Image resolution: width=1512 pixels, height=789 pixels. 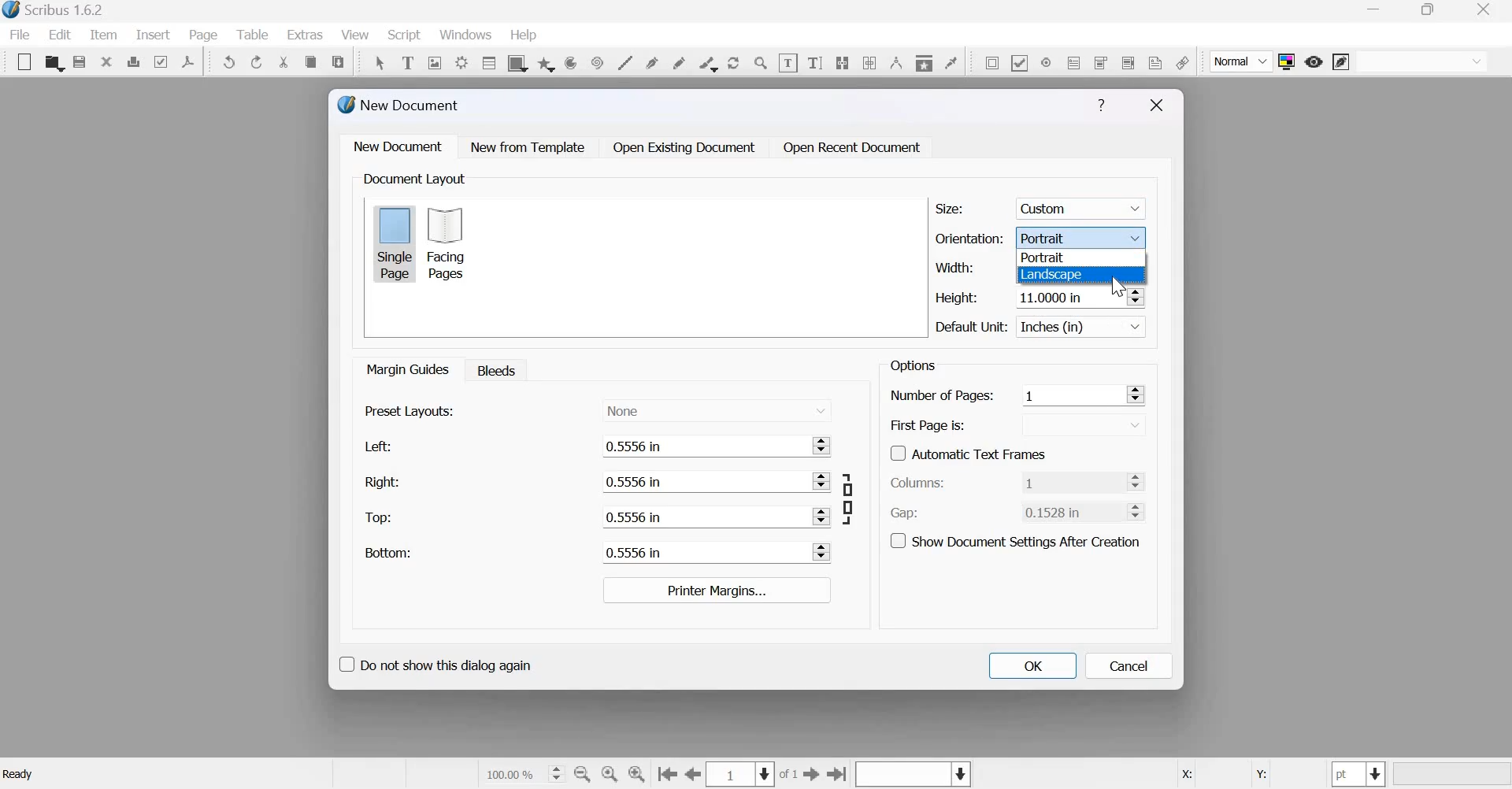 What do you see at coordinates (821, 481) in the screenshot?
I see `Increase and Decrease` at bounding box center [821, 481].